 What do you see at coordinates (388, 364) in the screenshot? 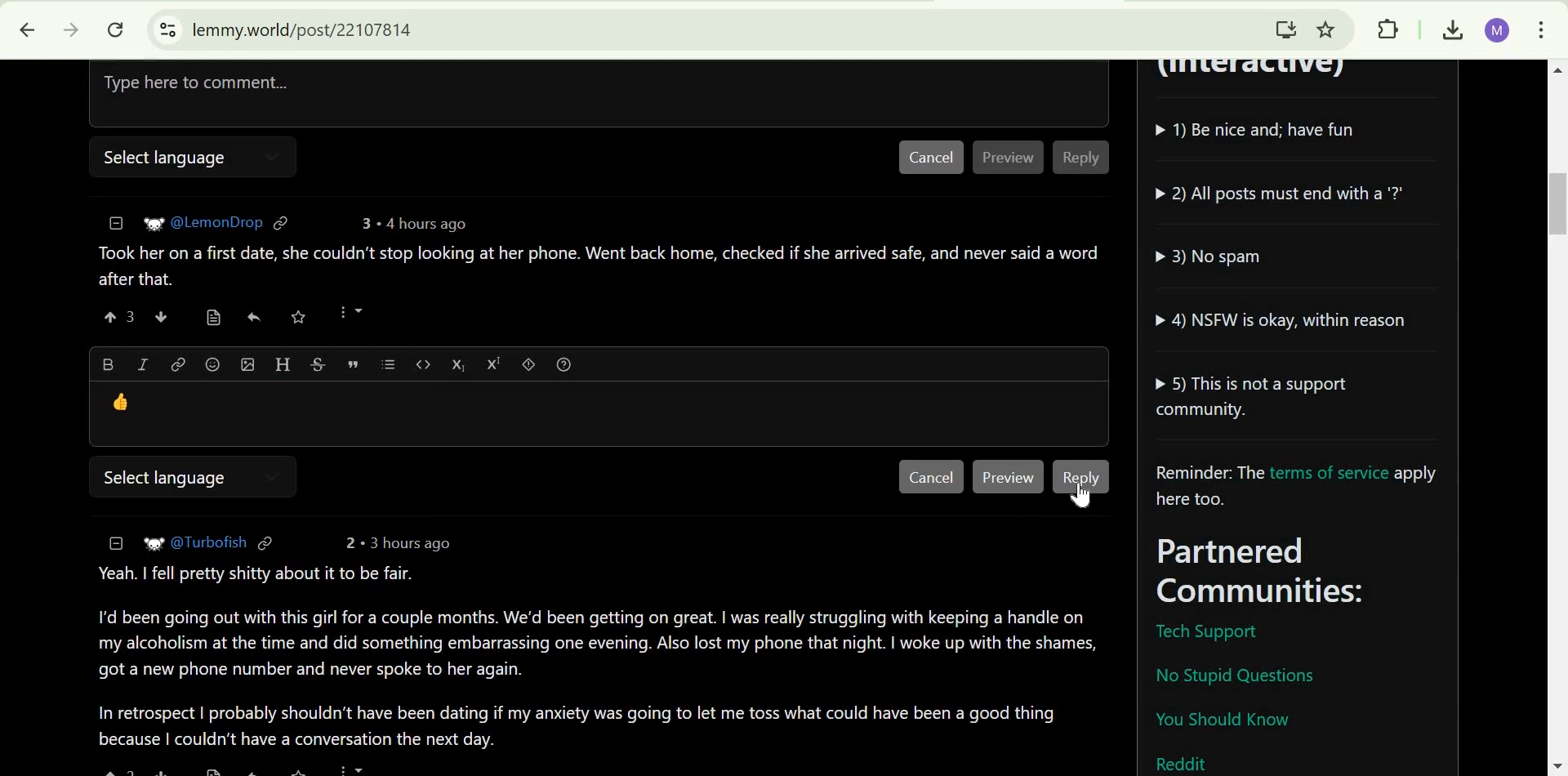
I see `list` at bounding box center [388, 364].